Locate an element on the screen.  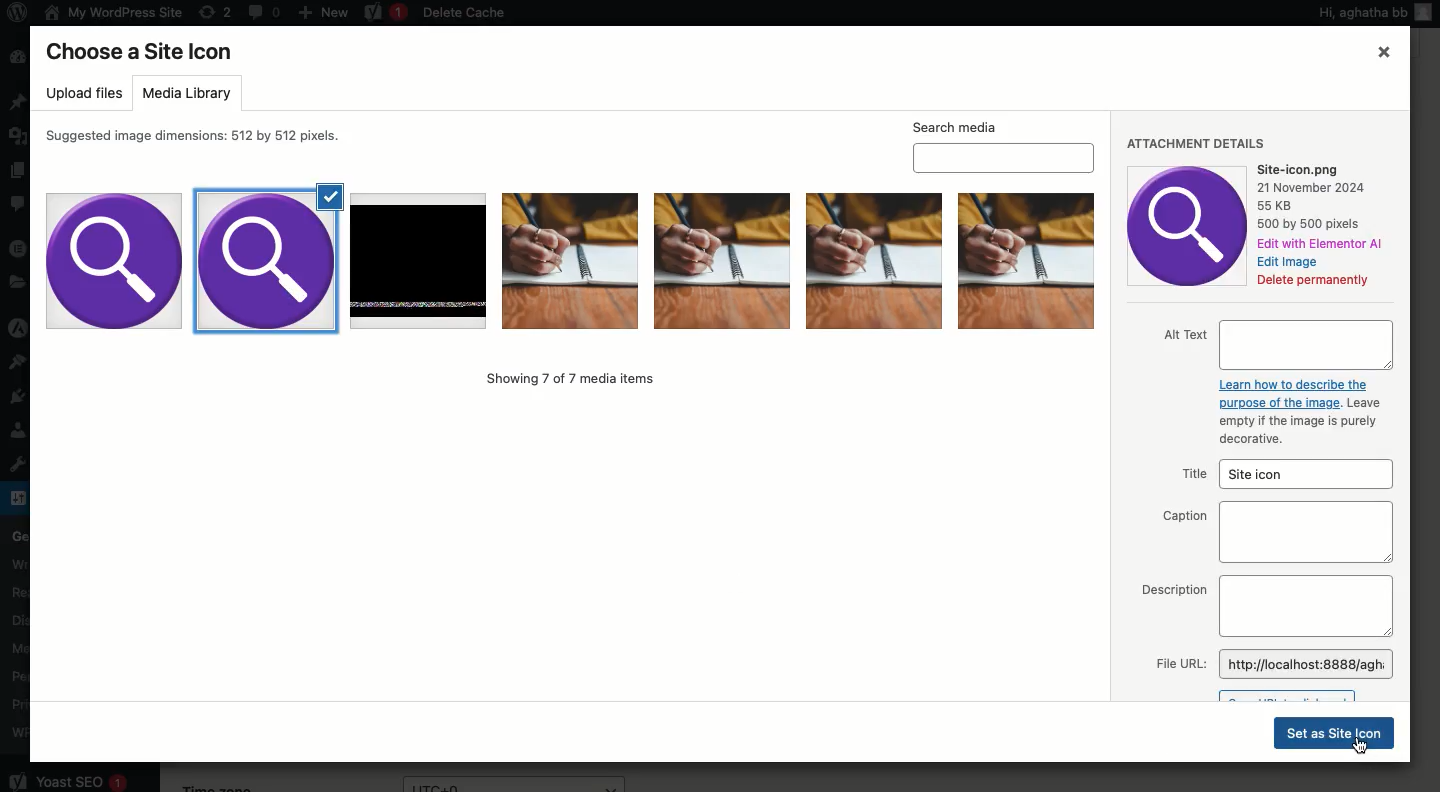
Astra is located at coordinates (19, 330).